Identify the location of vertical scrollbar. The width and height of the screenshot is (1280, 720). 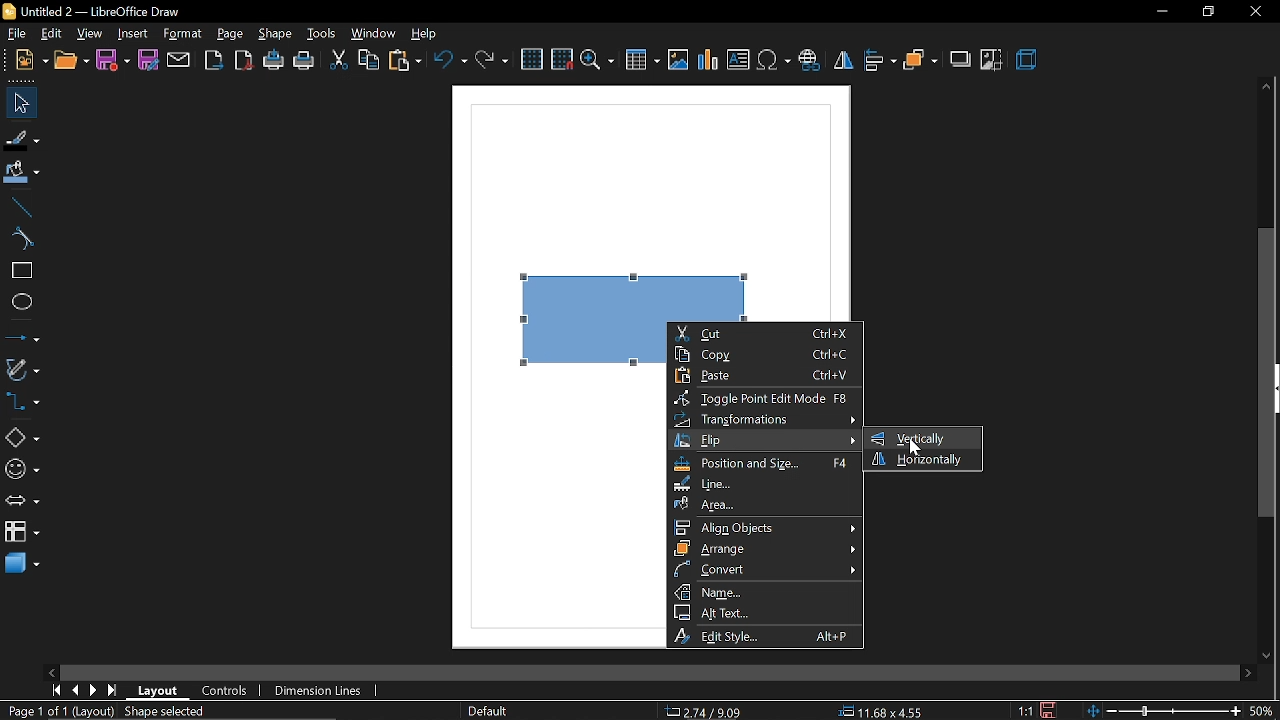
(1267, 373).